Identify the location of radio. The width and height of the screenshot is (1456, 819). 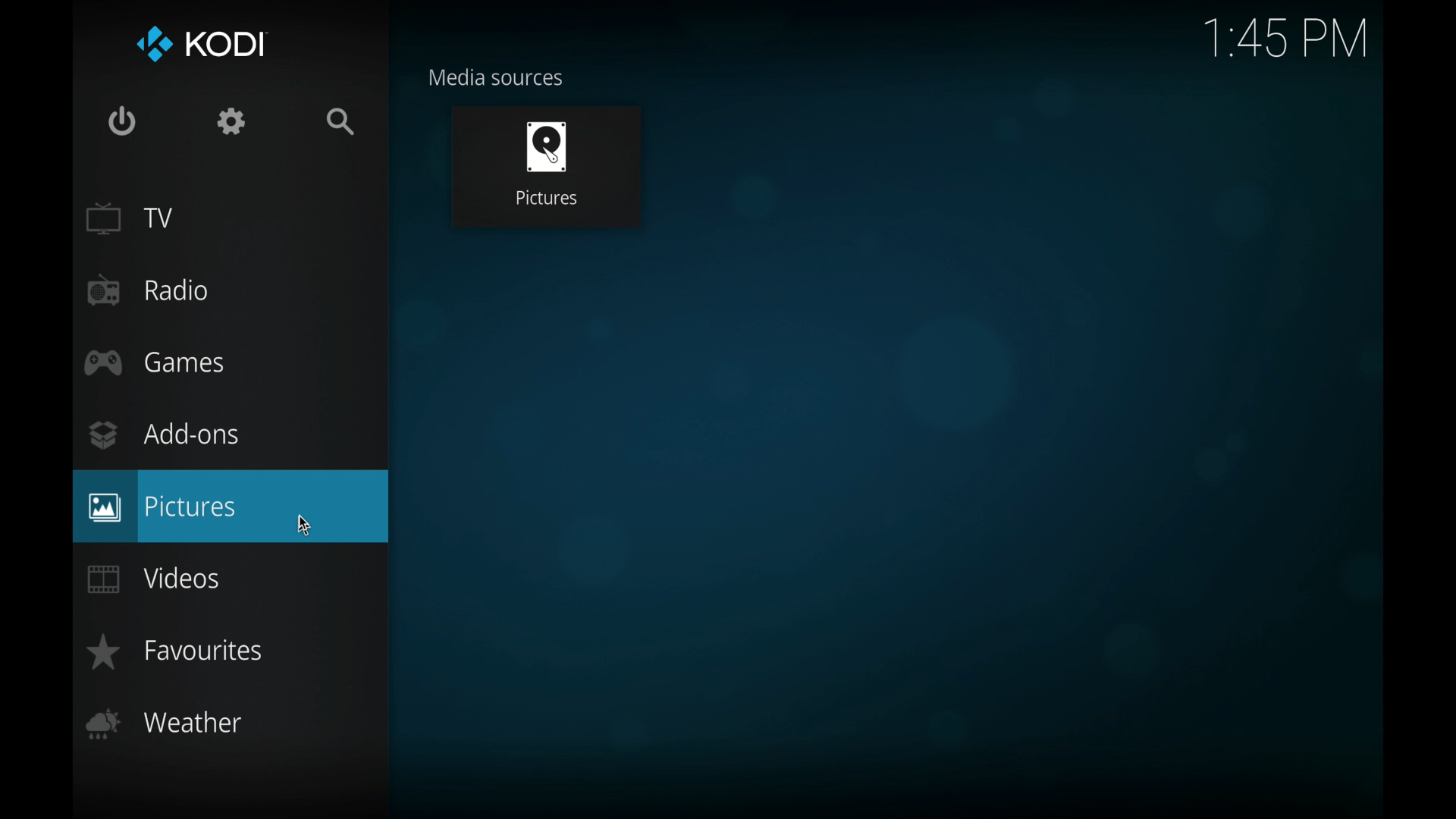
(149, 290).